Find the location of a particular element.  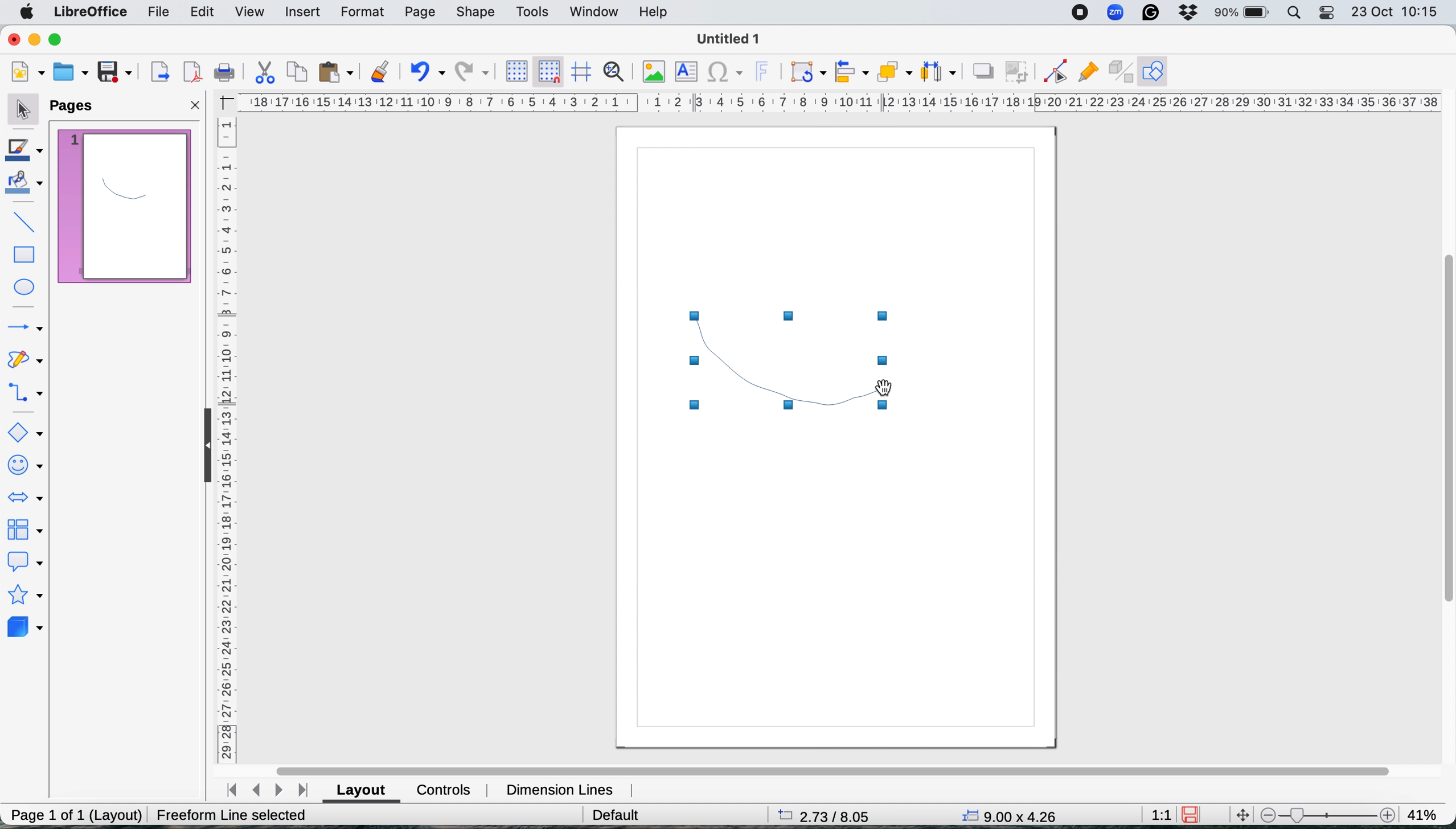

curves and polygons is located at coordinates (24, 358).